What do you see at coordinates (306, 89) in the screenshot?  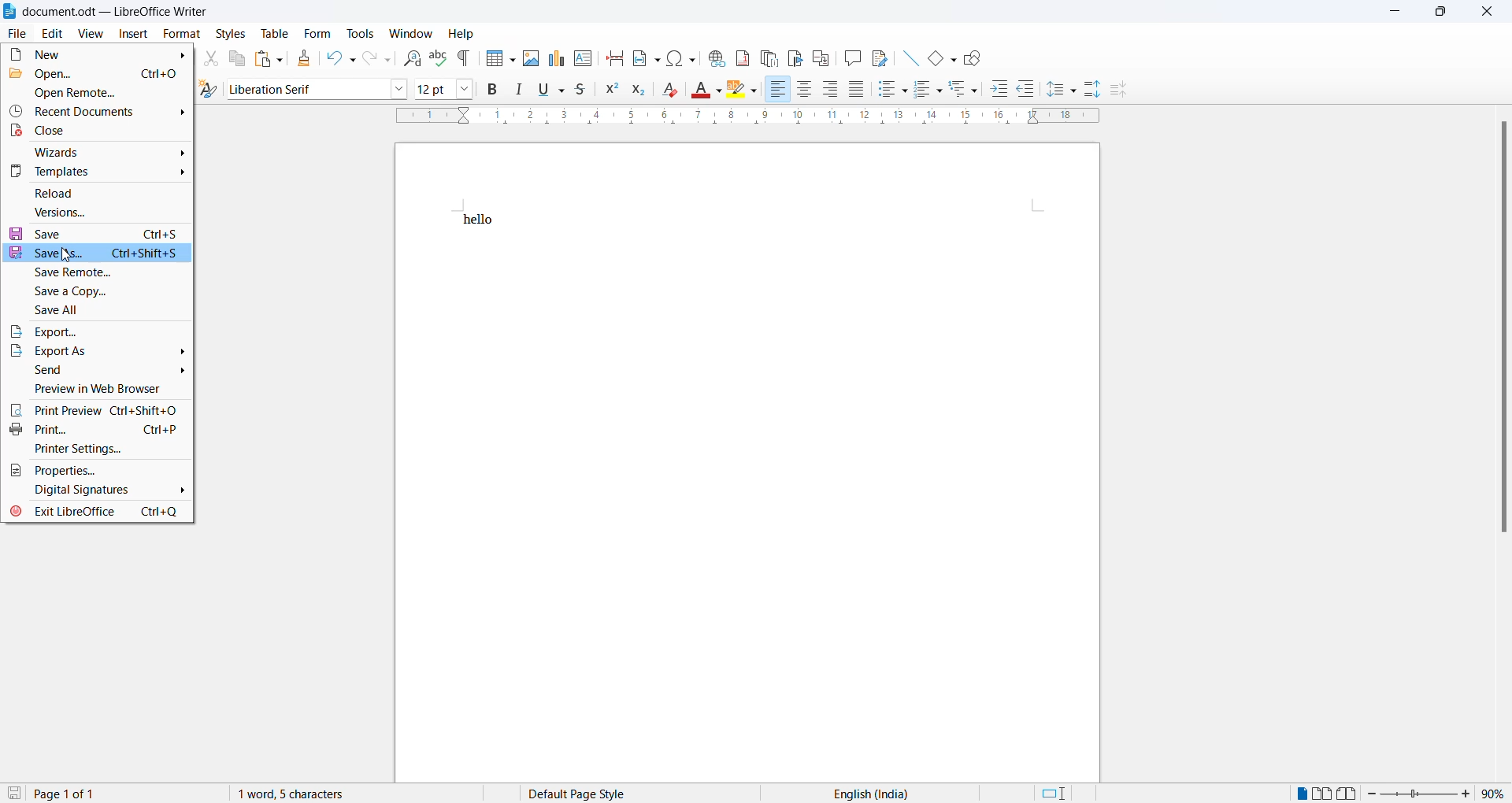 I see `Selected font` at bounding box center [306, 89].